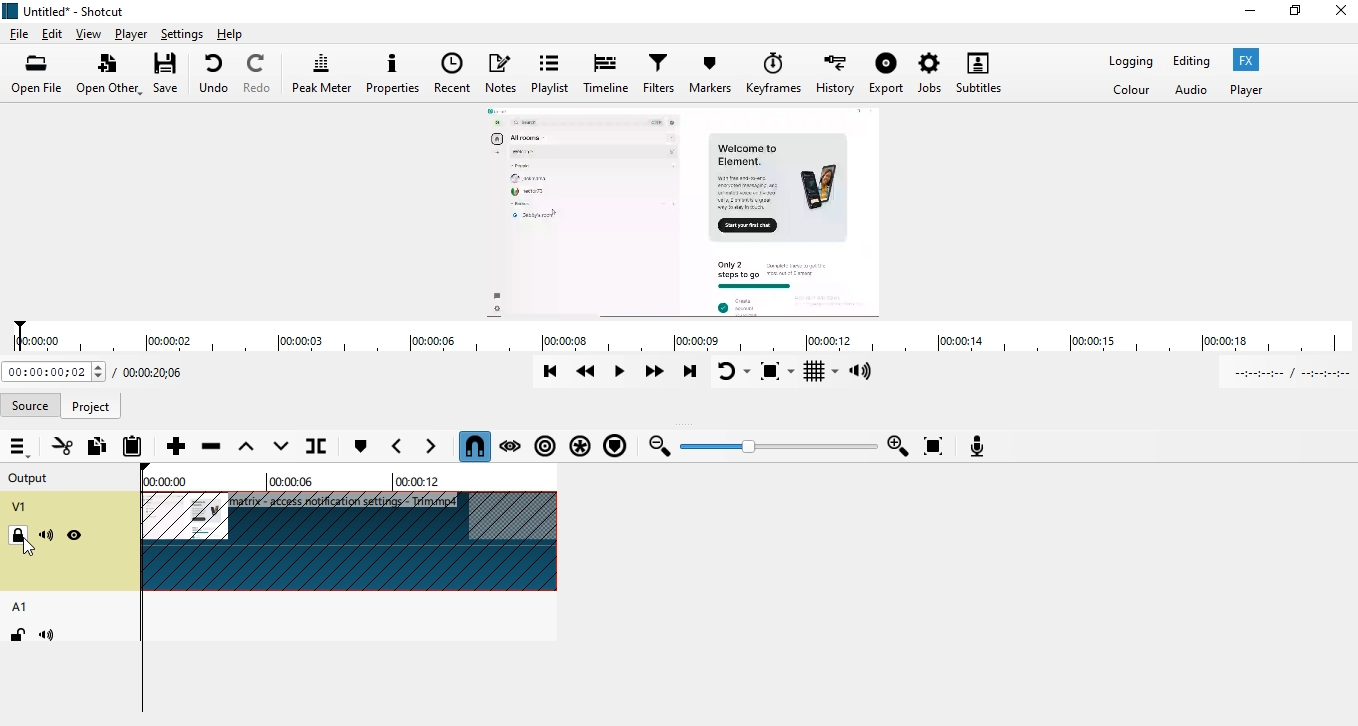 Image resolution: width=1358 pixels, height=726 pixels. What do you see at coordinates (1132, 92) in the screenshot?
I see `colour` at bounding box center [1132, 92].